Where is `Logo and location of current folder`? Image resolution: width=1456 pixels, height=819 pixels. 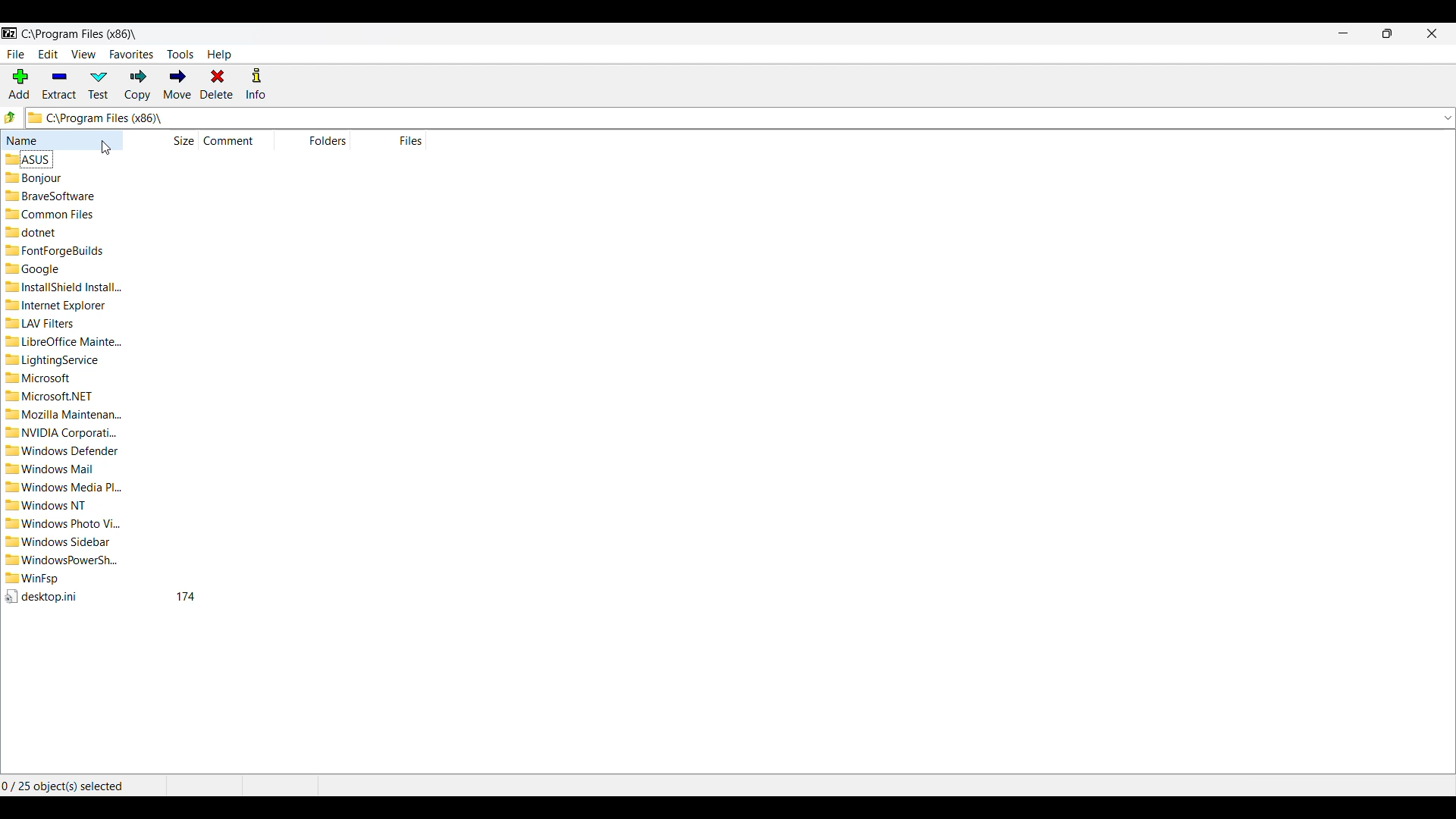
Logo and location of current folder is located at coordinates (730, 117).